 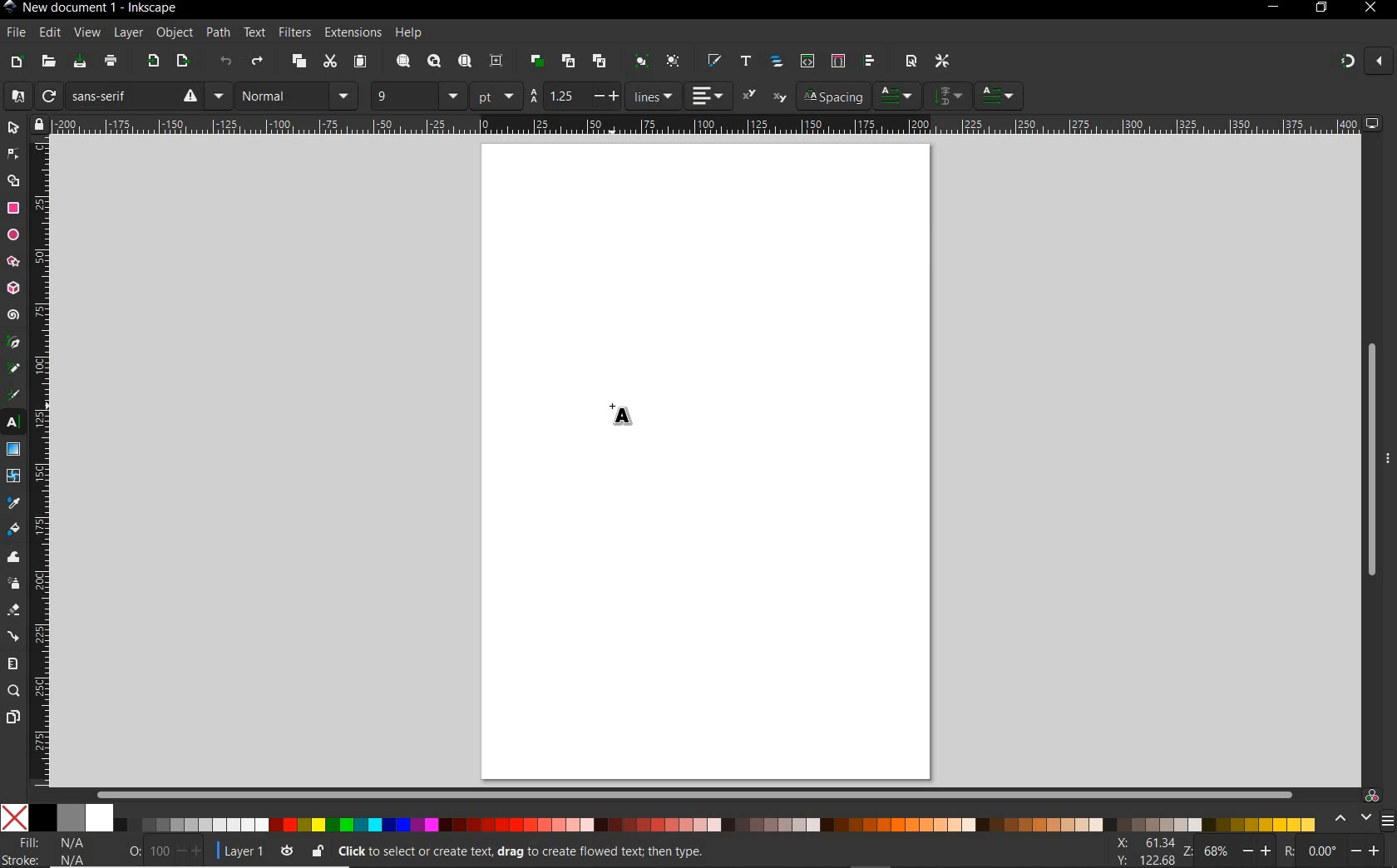 I want to click on increase/decrease, so click(x=190, y=851).